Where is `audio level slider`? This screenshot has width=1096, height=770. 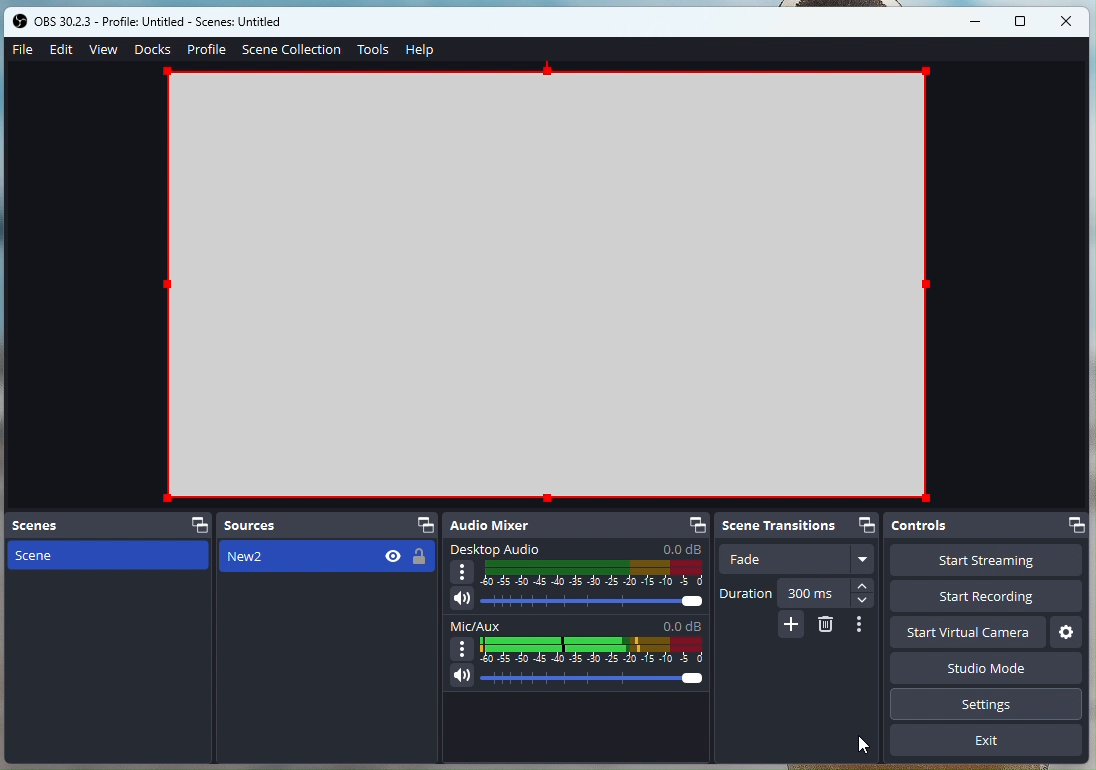 audio level slider is located at coordinates (595, 680).